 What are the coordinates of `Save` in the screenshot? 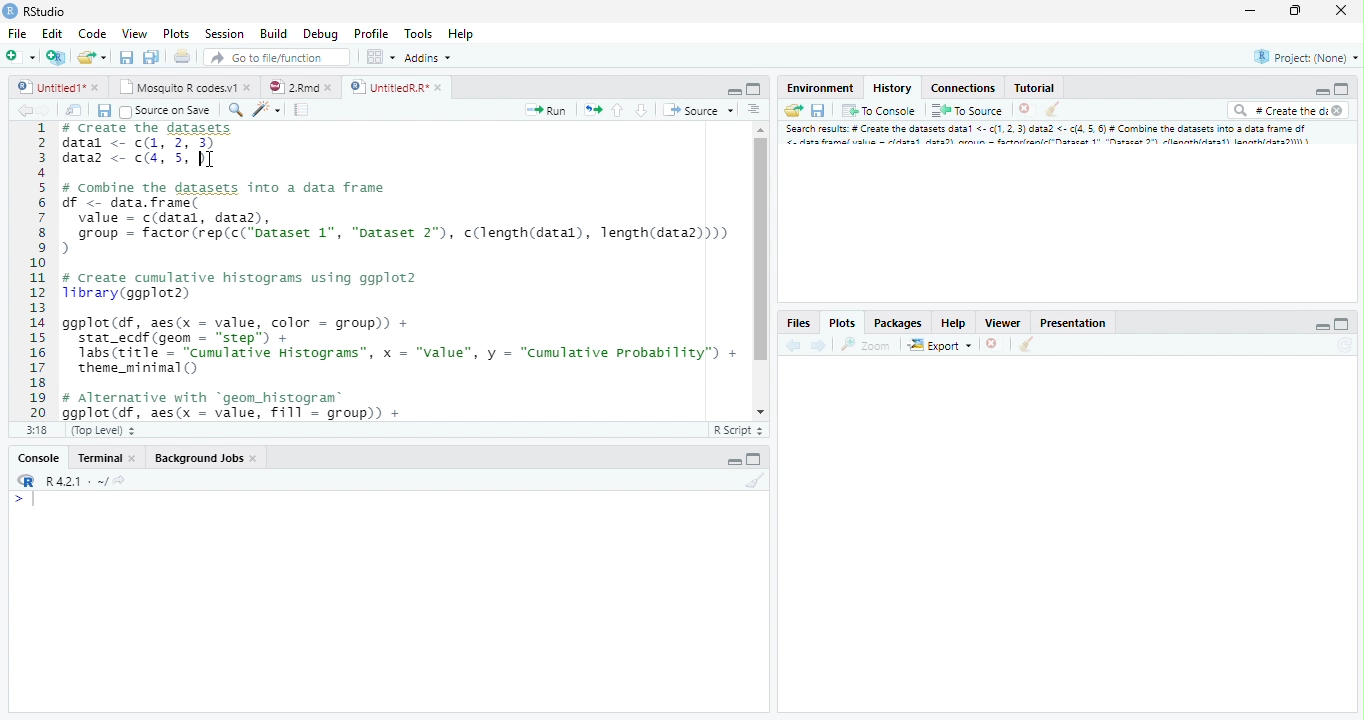 It's located at (126, 57).